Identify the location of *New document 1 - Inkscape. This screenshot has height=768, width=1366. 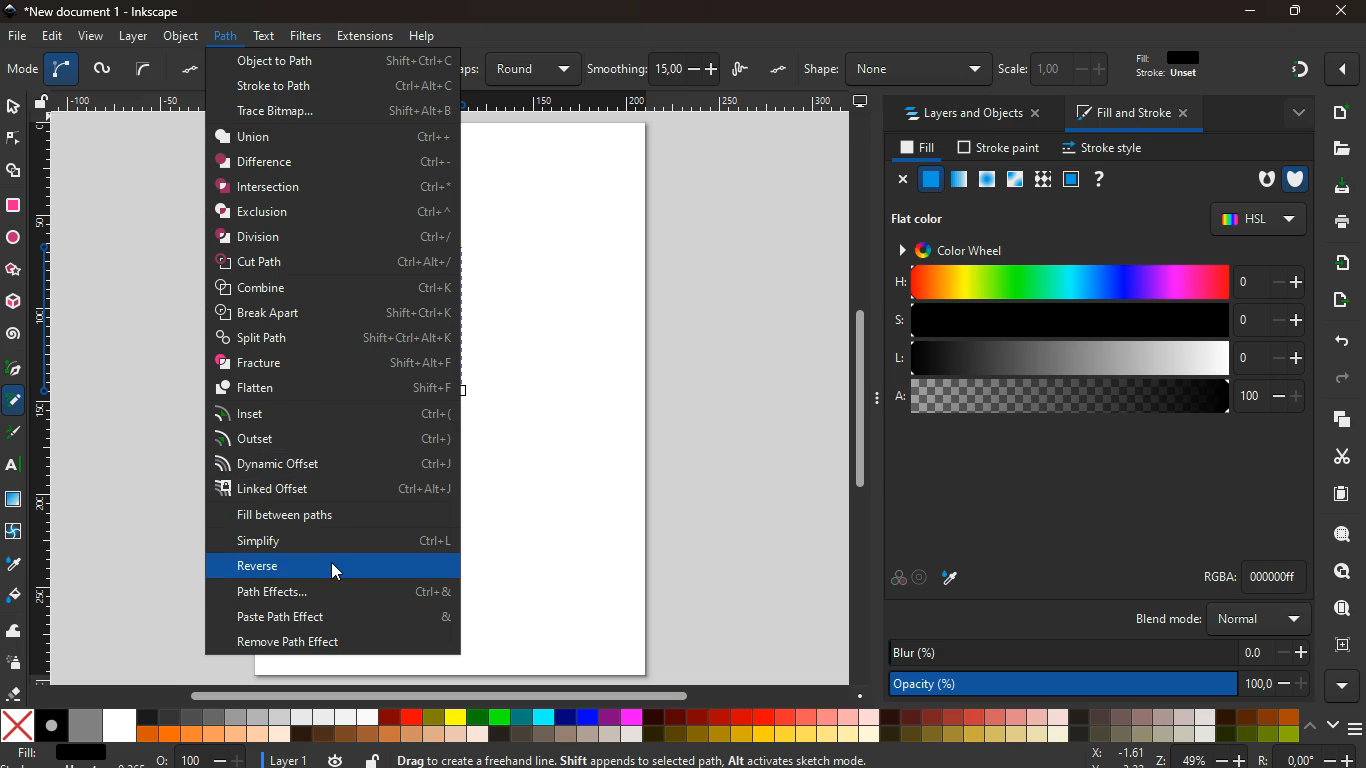
(90, 12).